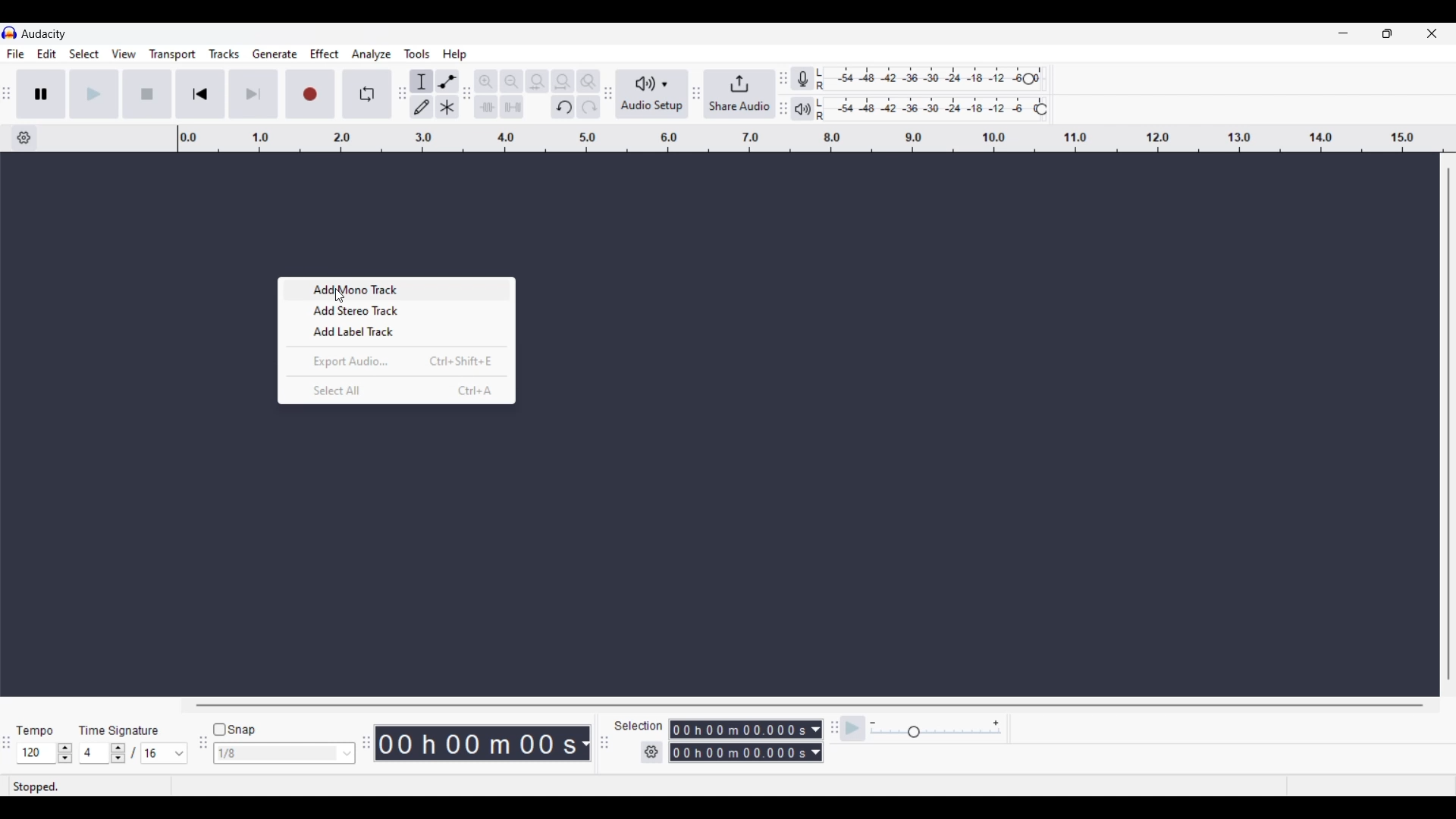  What do you see at coordinates (24, 138) in the screenshot?
I see `Timeline options` at bounding box center [24, 138].